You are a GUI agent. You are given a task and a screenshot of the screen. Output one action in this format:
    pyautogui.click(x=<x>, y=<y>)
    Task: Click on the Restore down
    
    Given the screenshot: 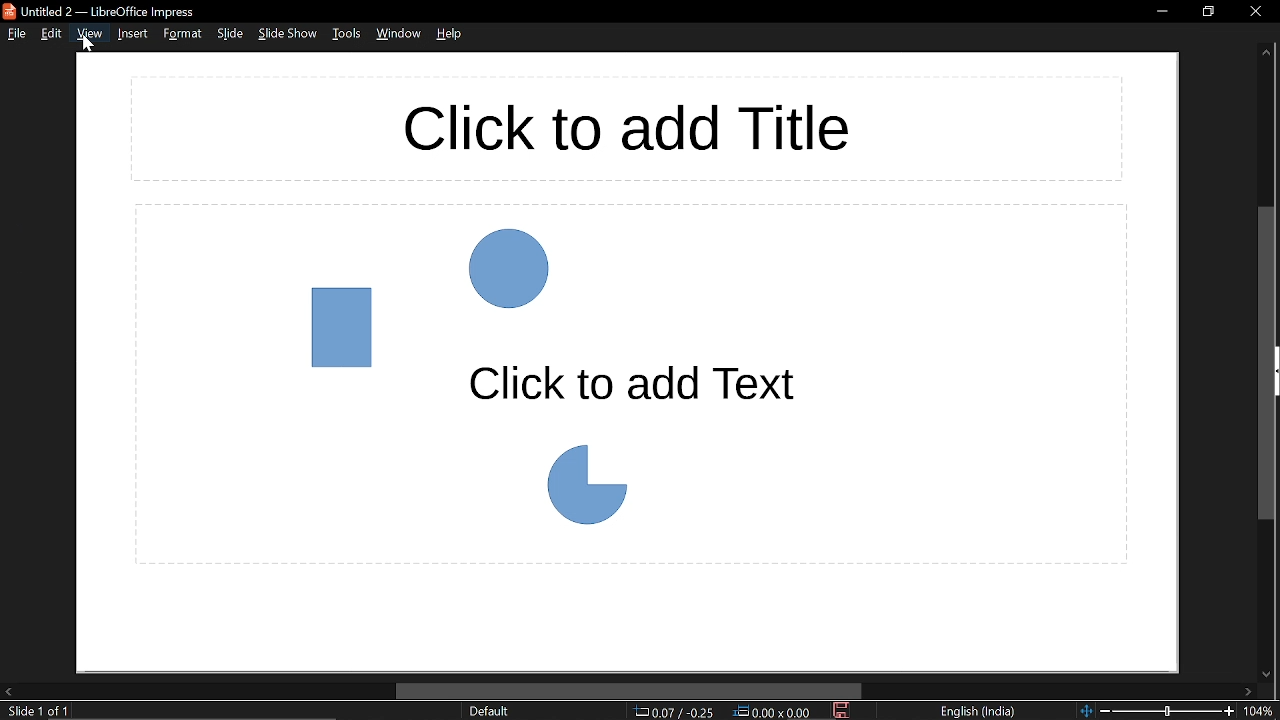 What is the action you would take?
    pyautogui.click(x=1210, y=13)
    